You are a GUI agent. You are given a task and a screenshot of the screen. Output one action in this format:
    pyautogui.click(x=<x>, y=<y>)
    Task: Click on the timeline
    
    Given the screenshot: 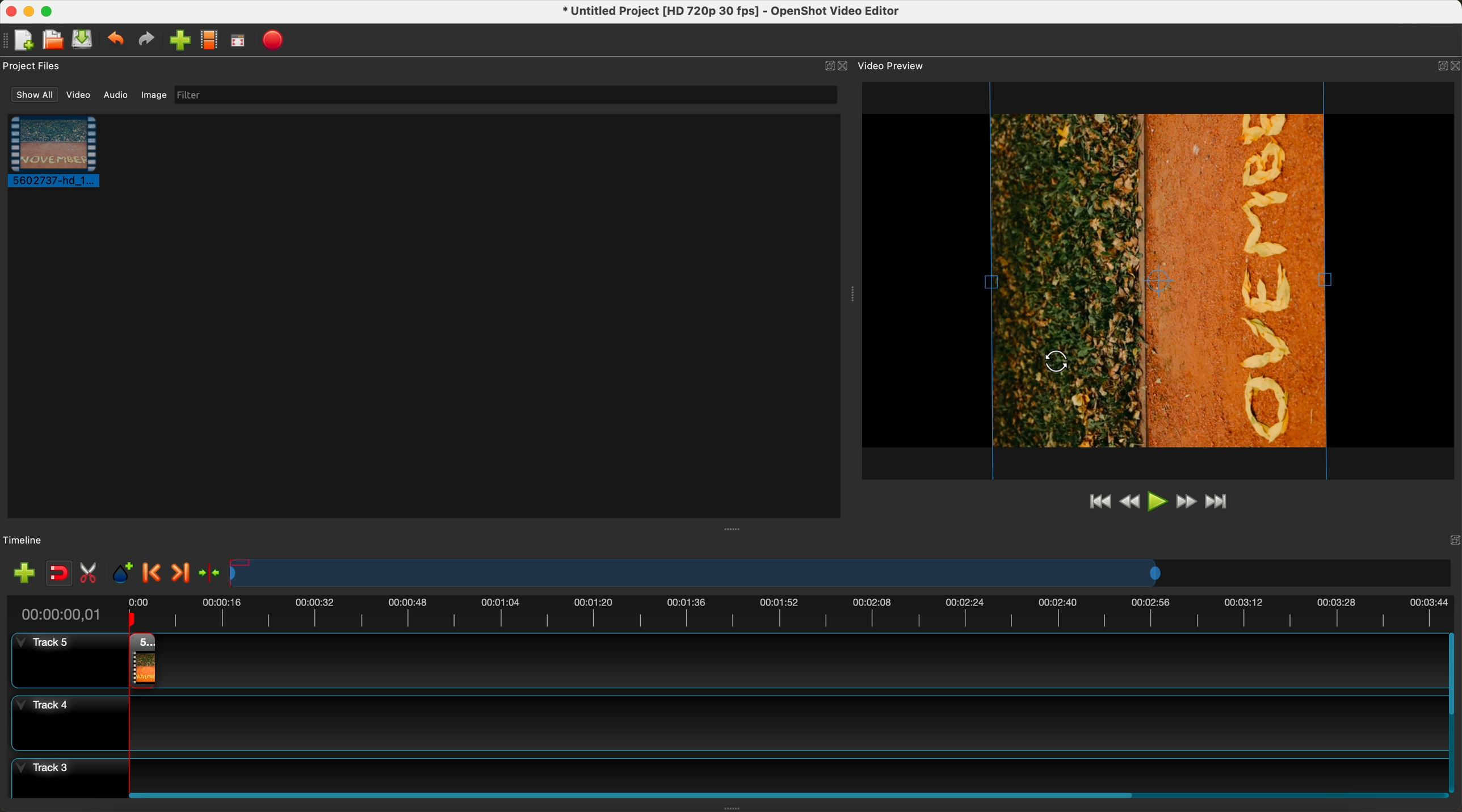 What is the action you would take?
    pyautogui.click(x=734, y=613)
    